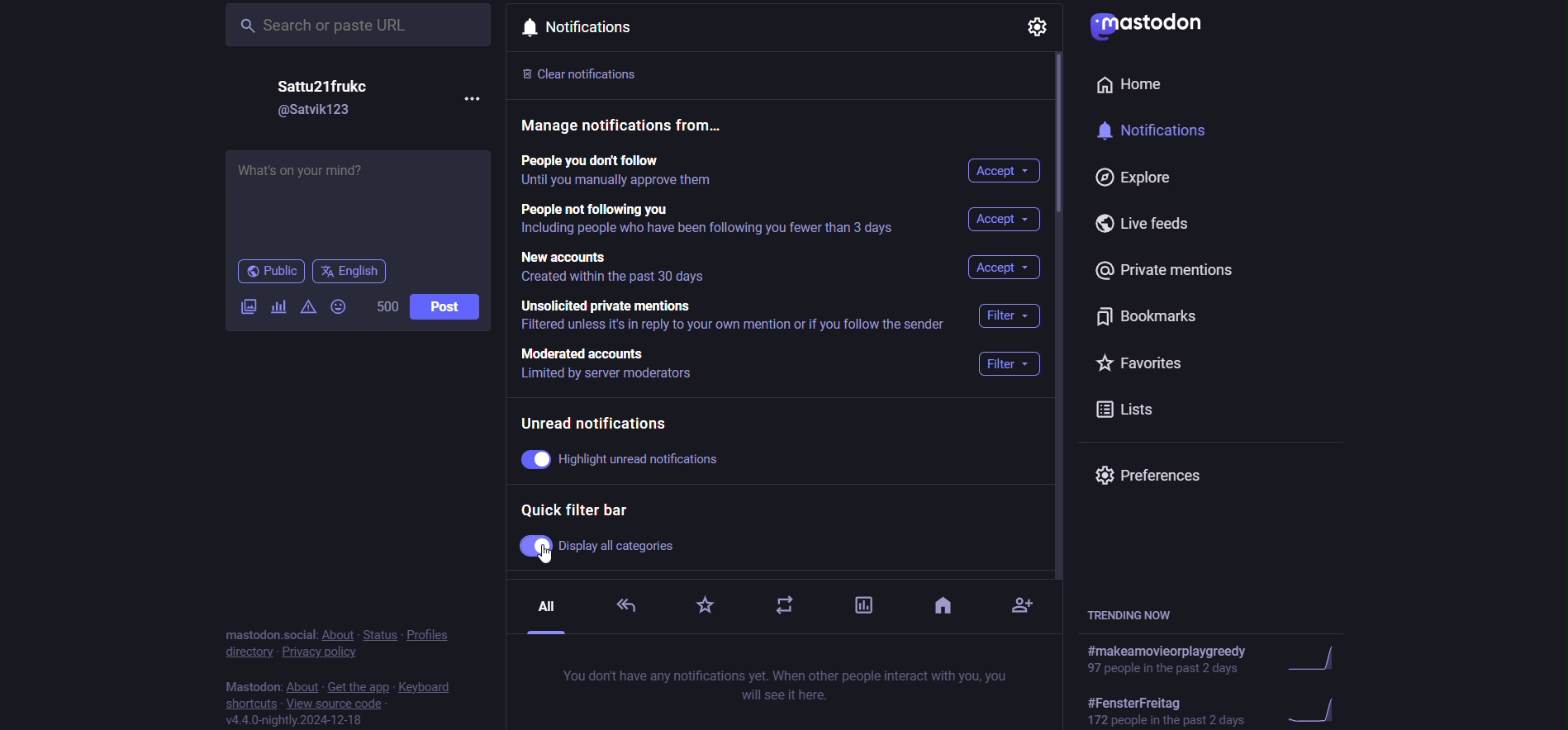  Describe the element at coordinates (582, 510) in the screenshot. I see `quick filter bar` at that location.